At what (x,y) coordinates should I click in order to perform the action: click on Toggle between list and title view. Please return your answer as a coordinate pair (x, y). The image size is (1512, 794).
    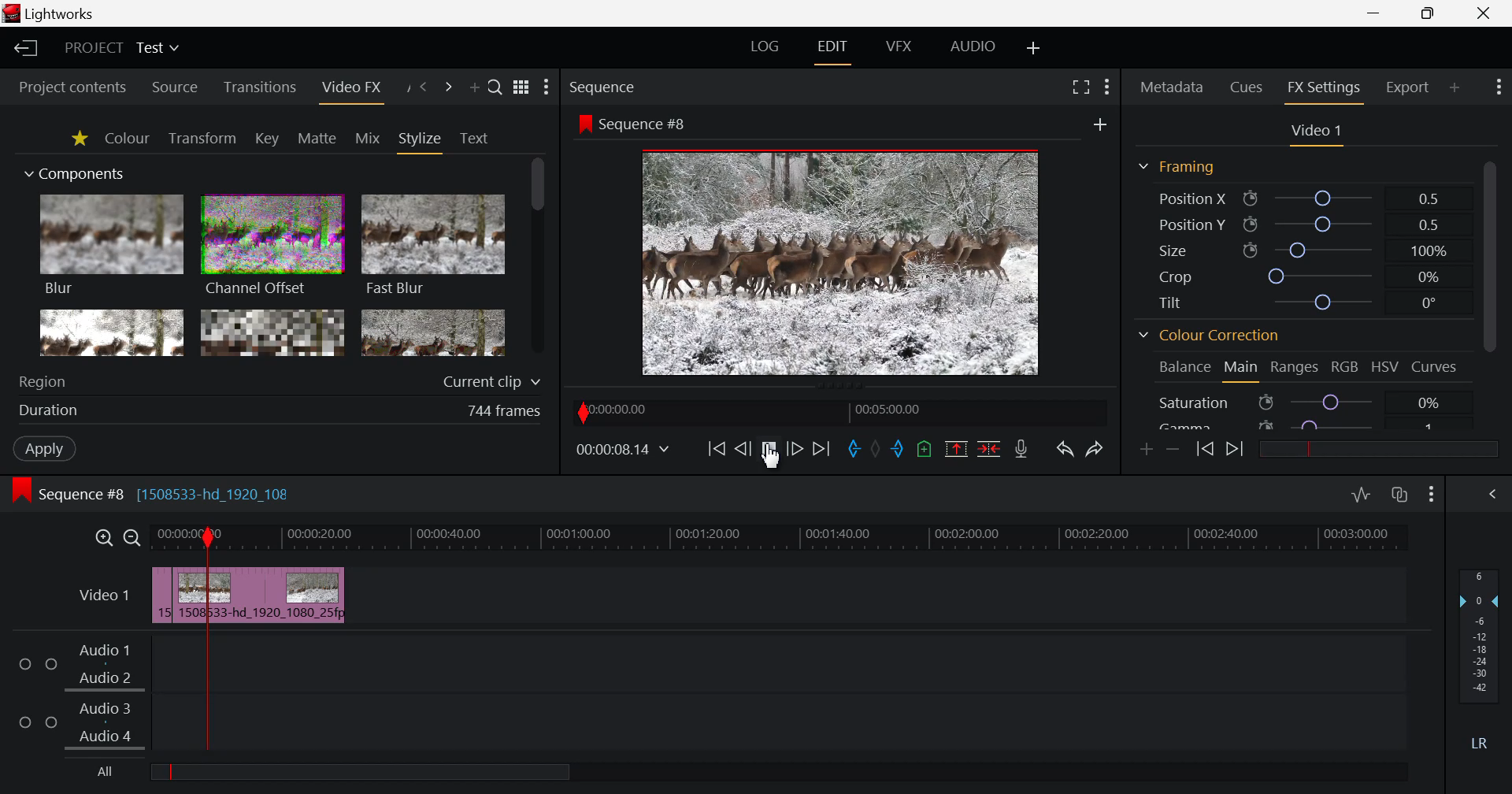
    Looking at the image, I should click on (521, 87).